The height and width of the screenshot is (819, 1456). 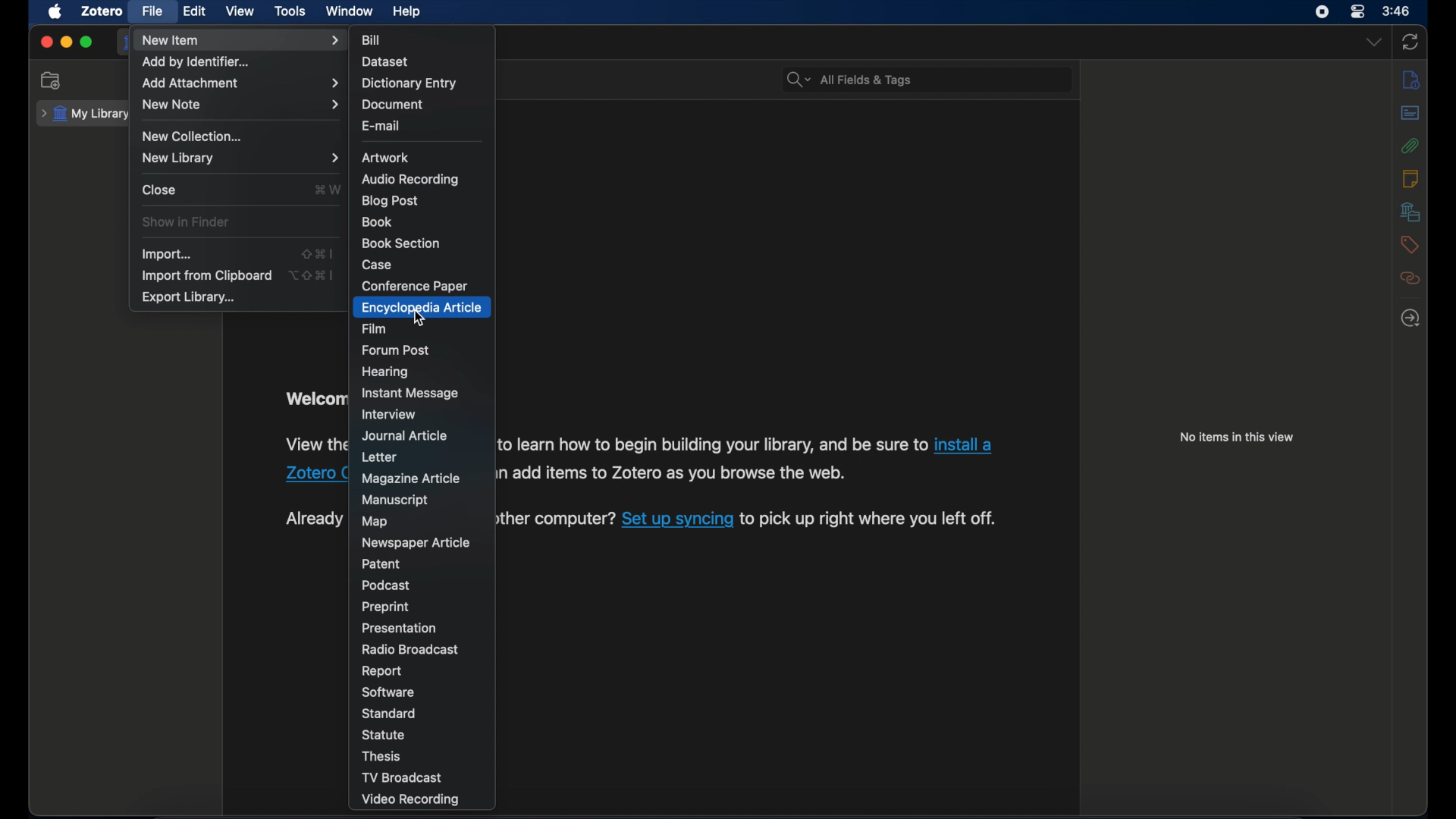 What do you see at coordinates (312, 275) in the screenshot?
I see `shortcut` at bounding box center [312, 275].